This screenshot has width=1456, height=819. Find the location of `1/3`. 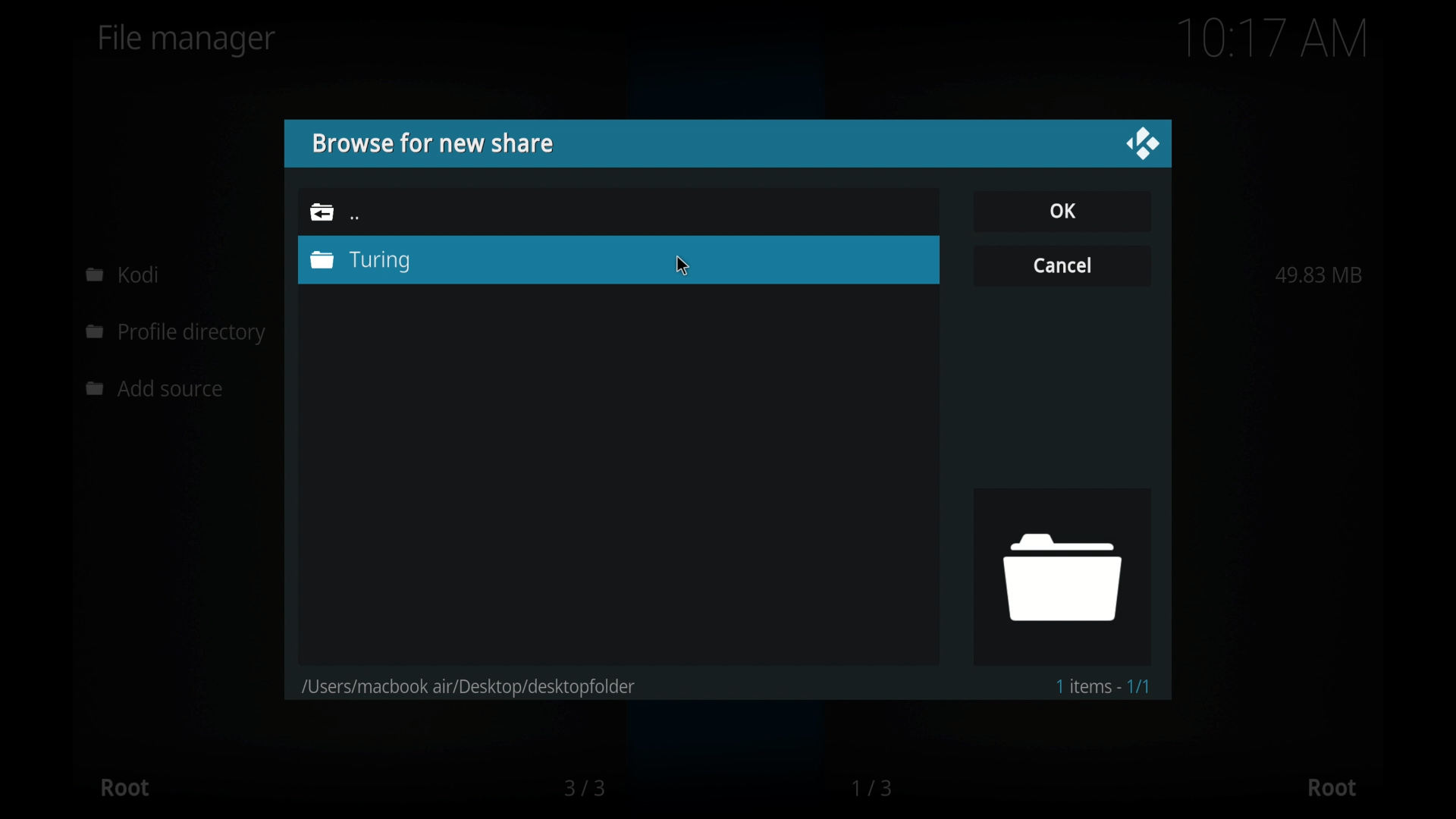

1/3 is located at coordinates (874, 788).